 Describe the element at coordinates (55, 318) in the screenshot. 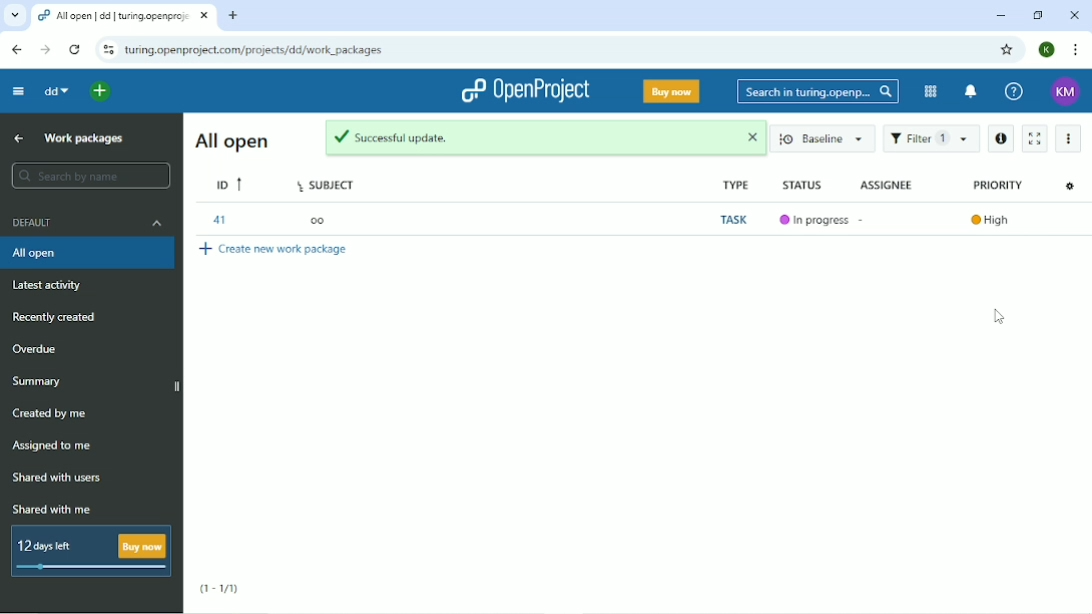

I see `Recently created` at that location.